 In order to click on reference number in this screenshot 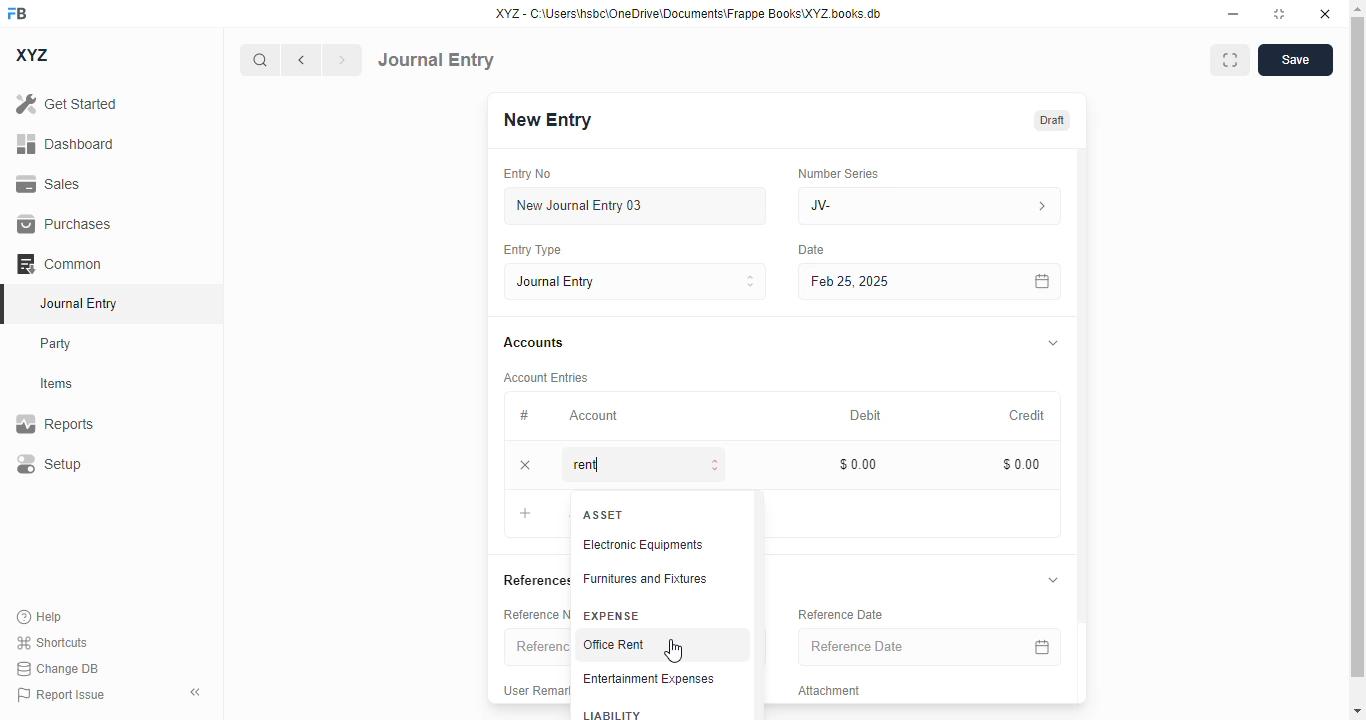, I will do `click(533, 614)`.